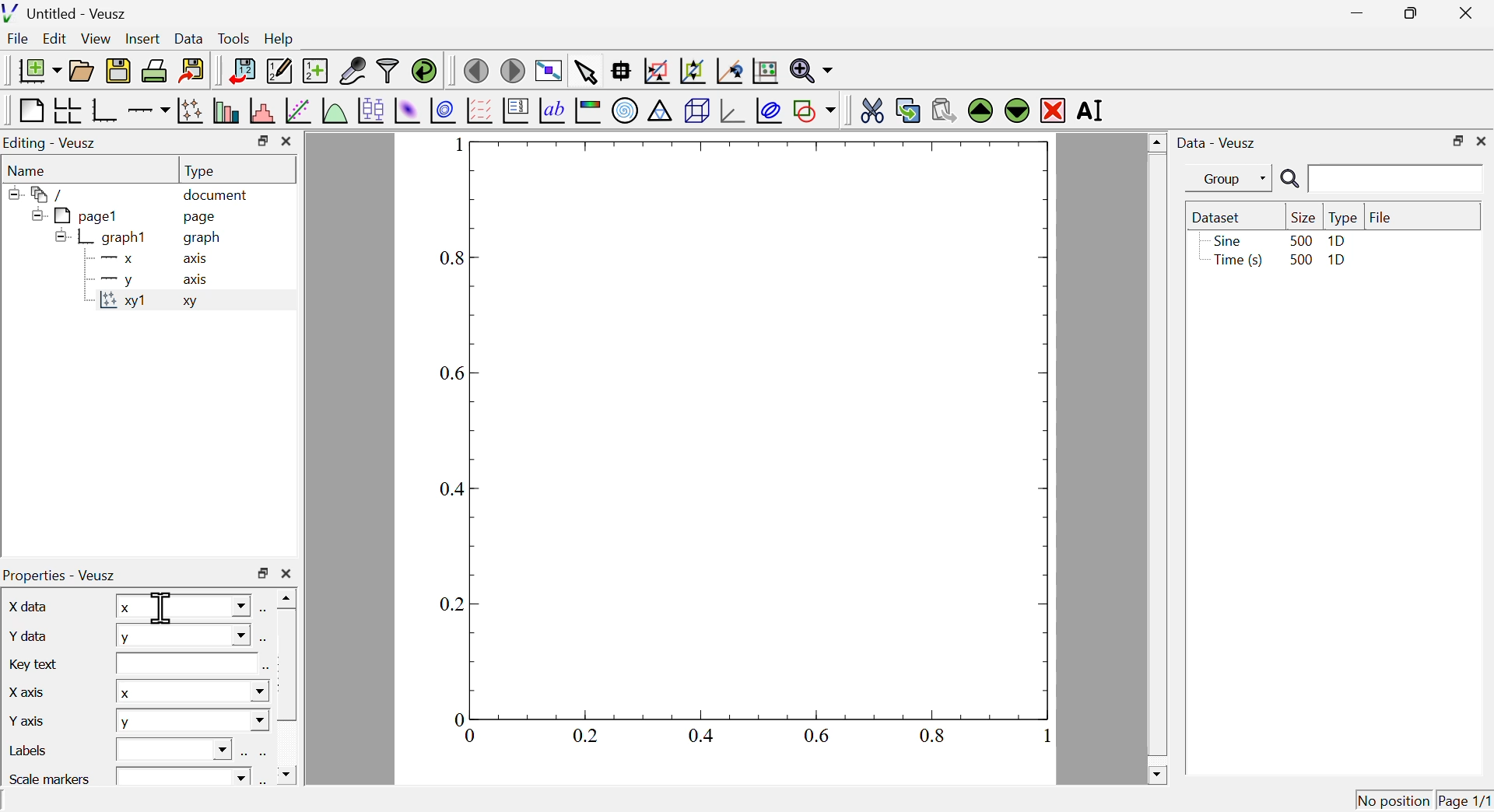 This screenshot has height=812, width=1494. What do you see at coordinates (515, 70) in the screenshot?
I see `move to the next page` at bounding box center [515, 70].